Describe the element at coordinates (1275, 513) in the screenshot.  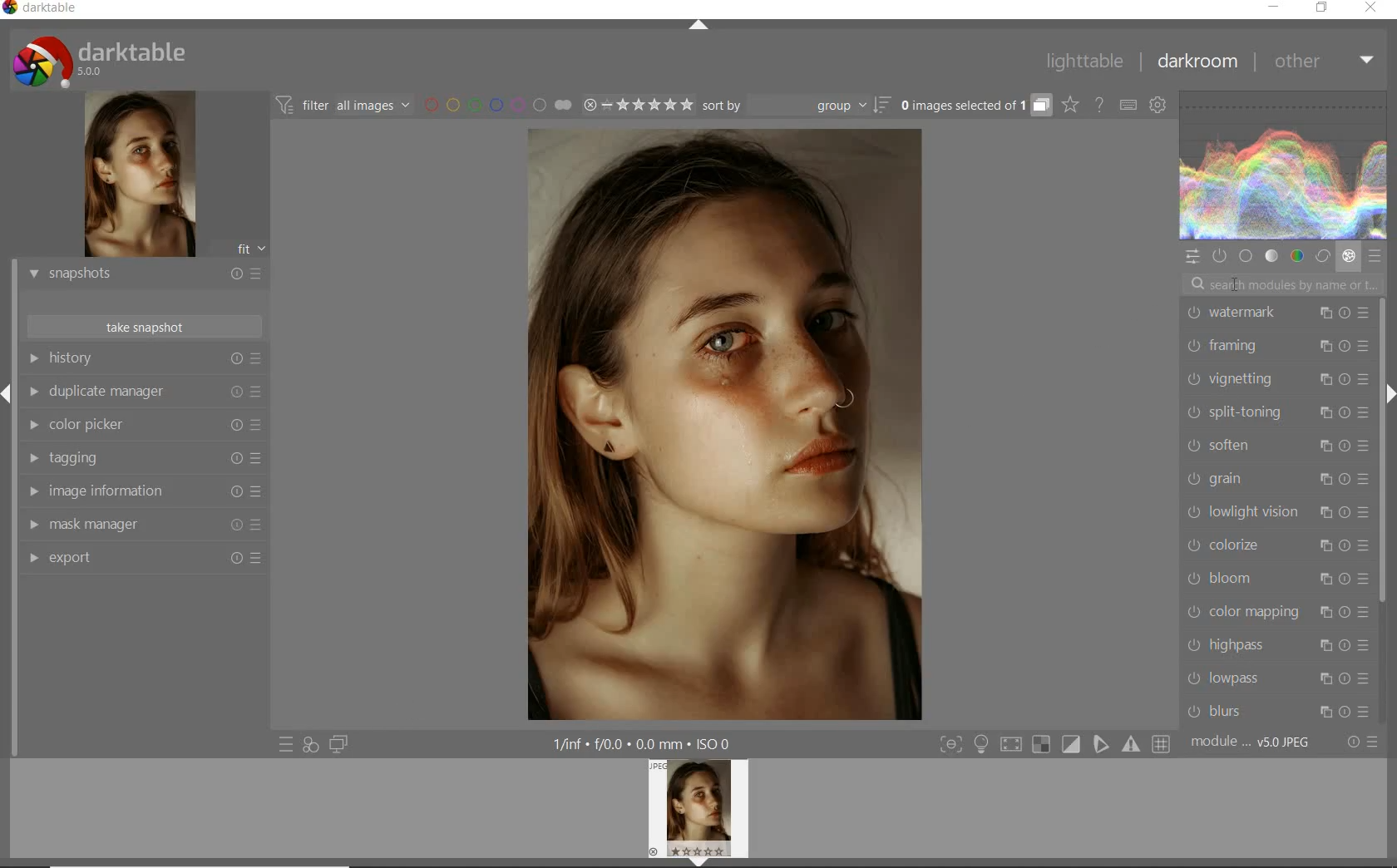
I see `lowlight vision` at that location.